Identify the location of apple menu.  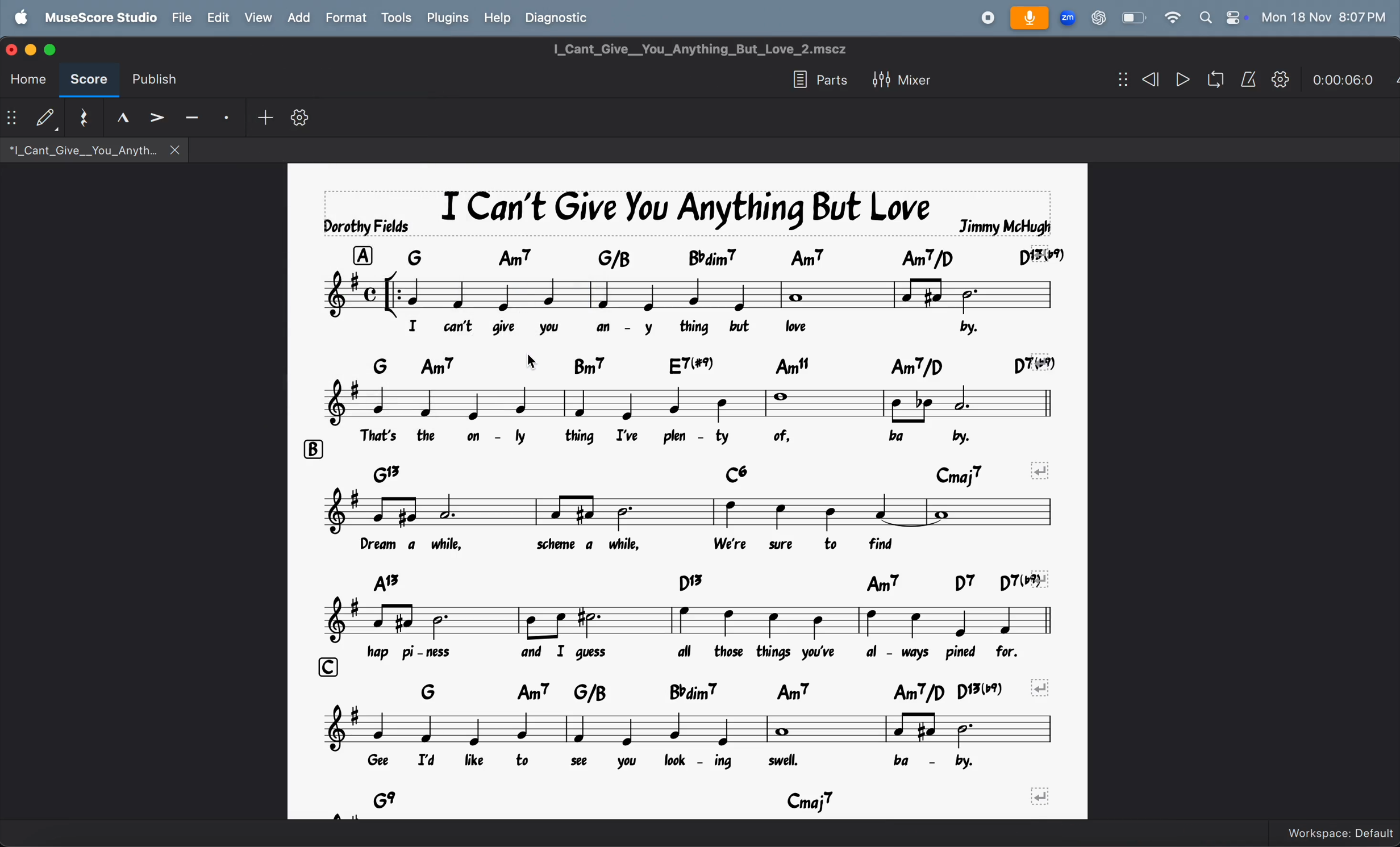
(18, 18).